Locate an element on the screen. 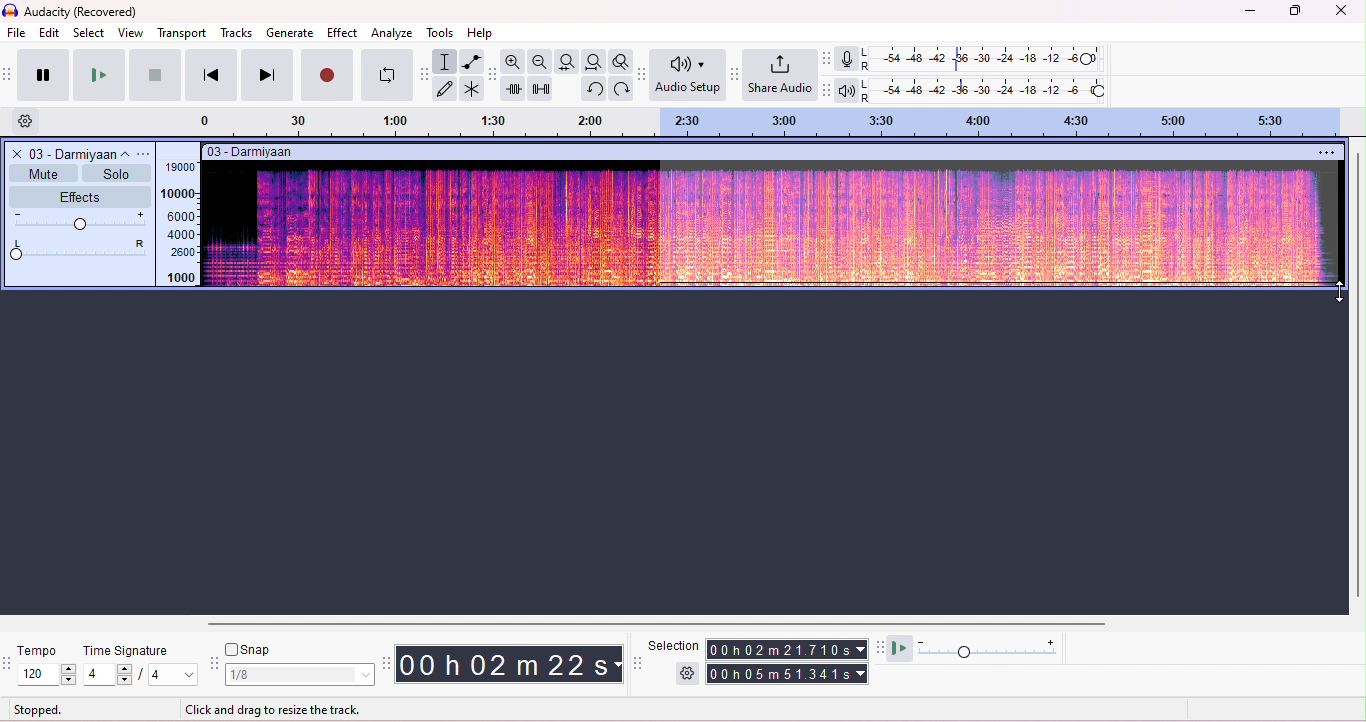 The image size is (1366, 722). loop is located at coordinates (387, 76).